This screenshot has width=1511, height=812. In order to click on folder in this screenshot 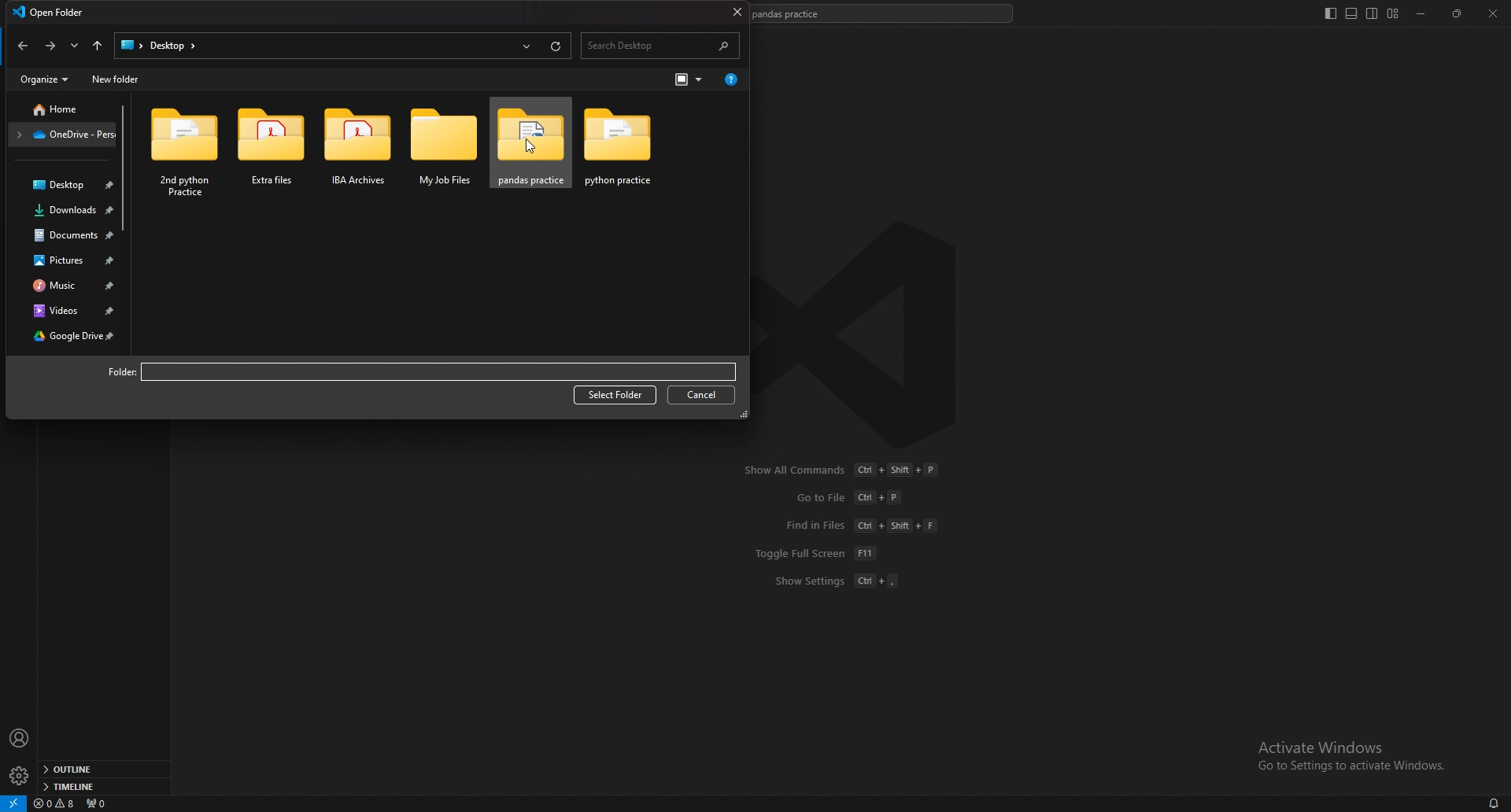, I will do `click(65, 108)`.